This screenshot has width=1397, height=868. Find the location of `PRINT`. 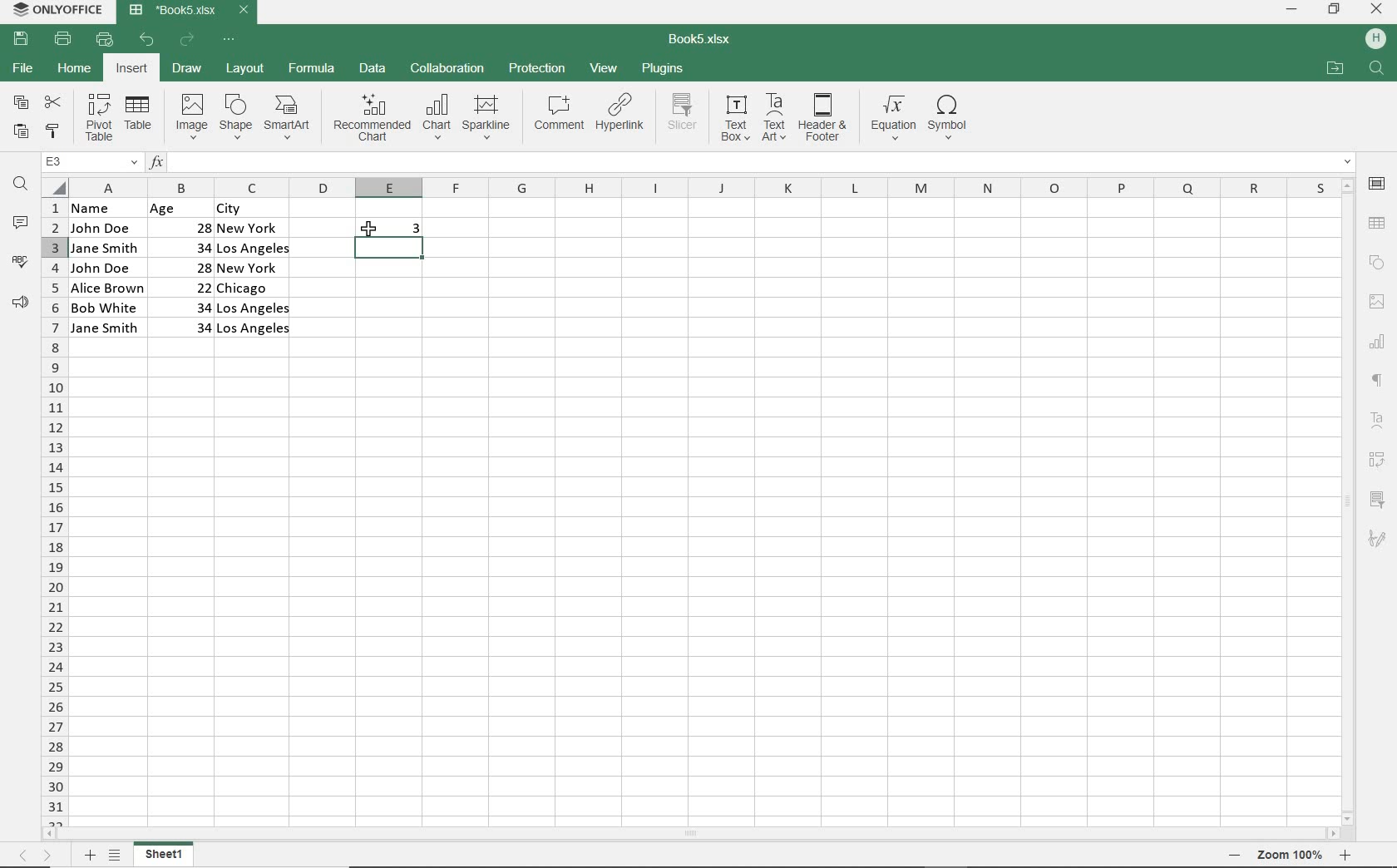

PRINT is located at coordinates (63, 40).